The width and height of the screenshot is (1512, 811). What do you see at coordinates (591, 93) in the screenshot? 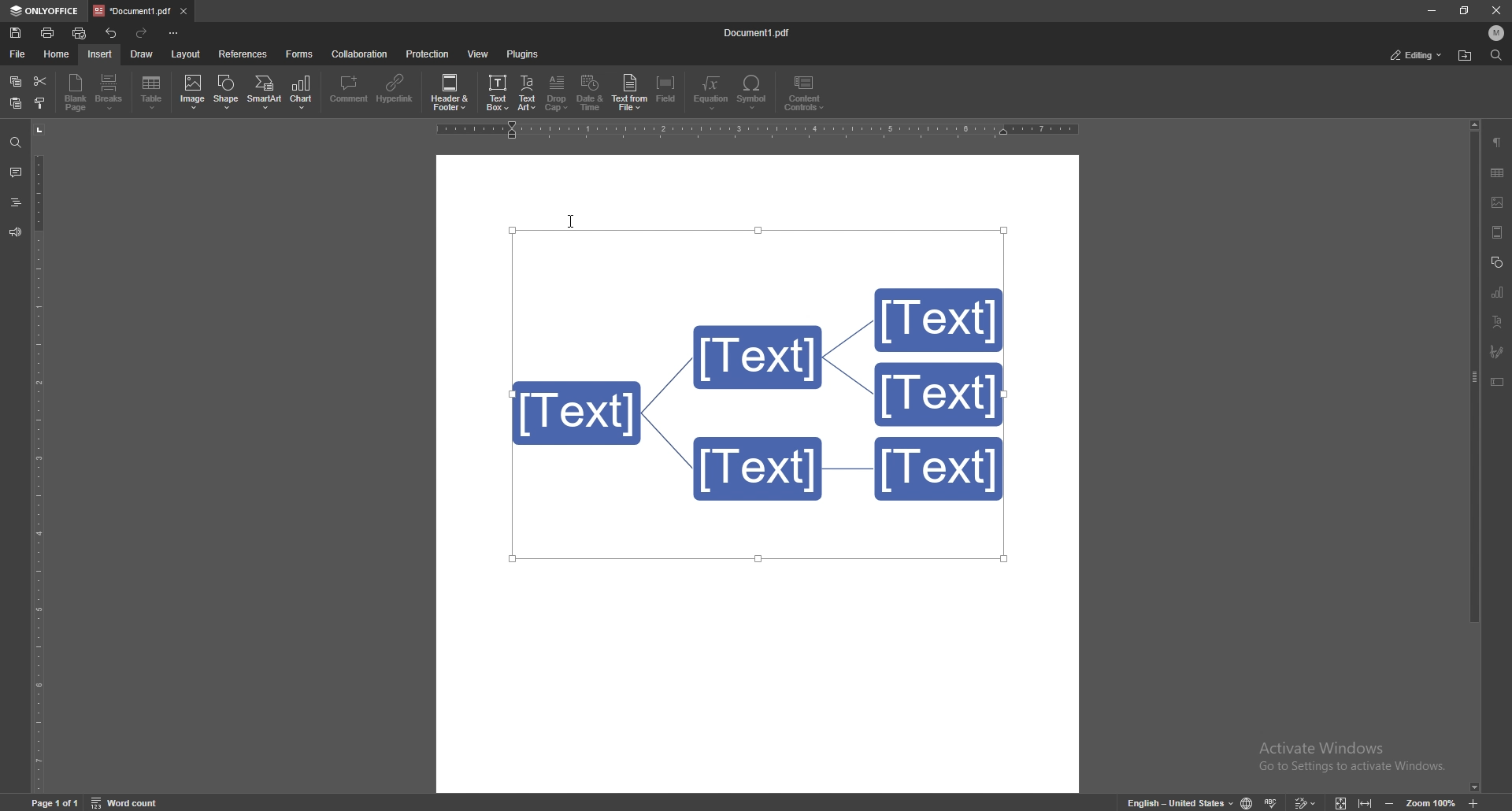
I see `date and time` at bounding box center [591, 93].